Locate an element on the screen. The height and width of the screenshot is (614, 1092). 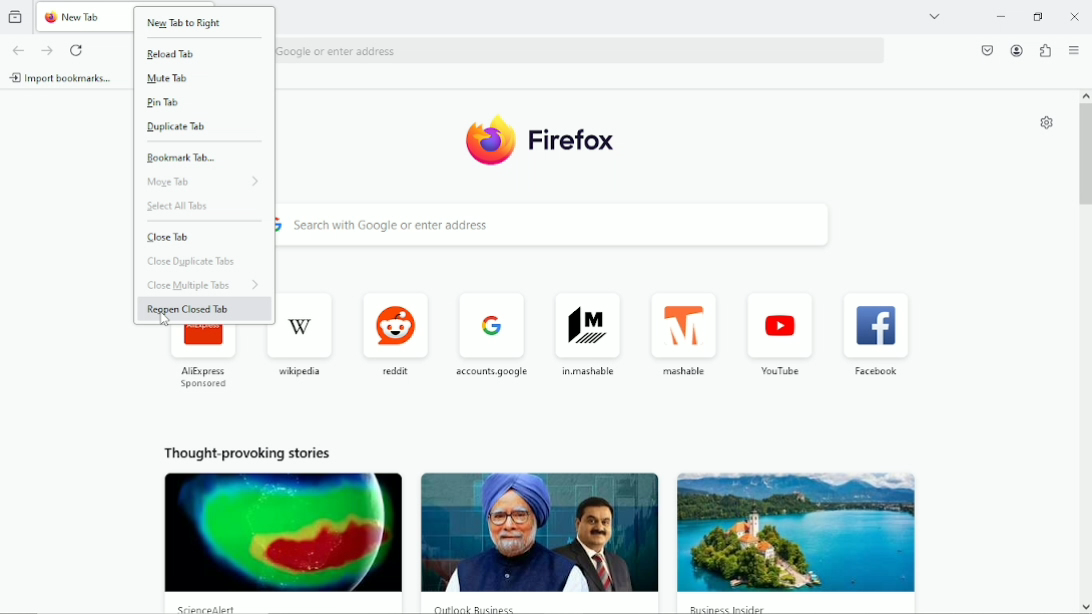
Minimize is located at coordinates (1000, 15).